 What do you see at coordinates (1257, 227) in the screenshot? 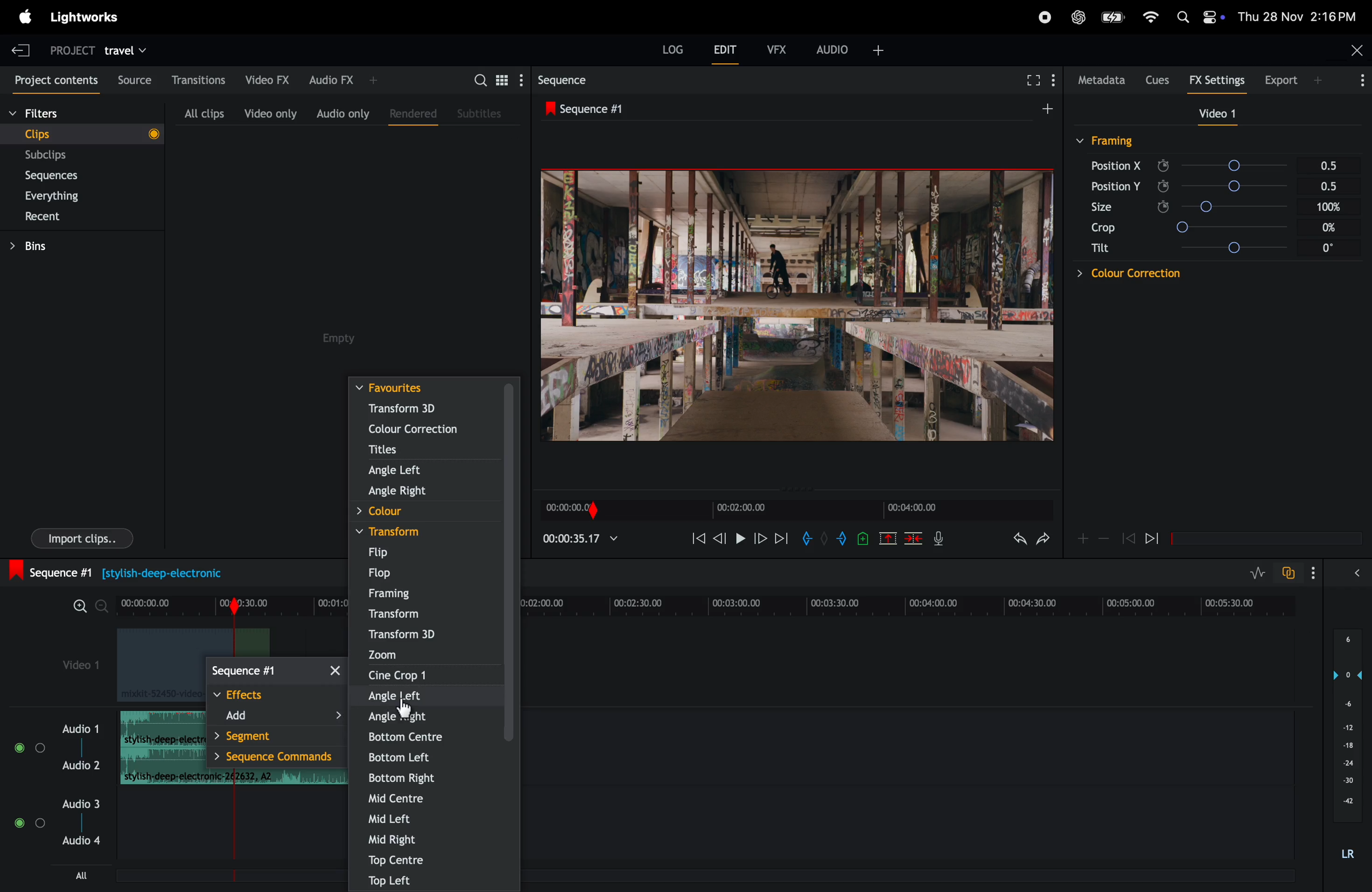
I see `angle` at bounding box center [1257, 227].